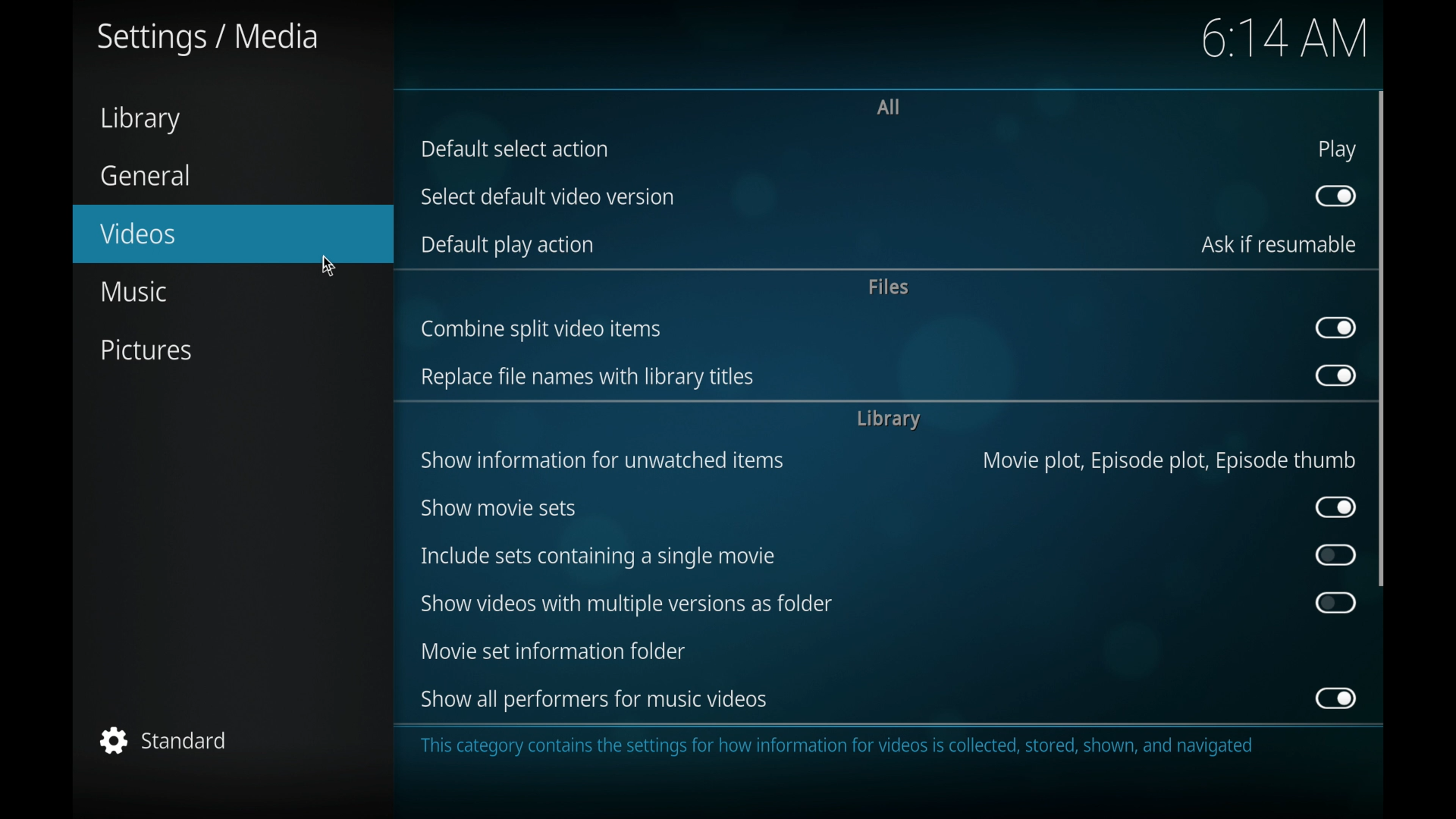 This screenshot has width=1456, height=819. Describe the element at coordinates (140, 120) in the screenshot. I see `library` at that location.